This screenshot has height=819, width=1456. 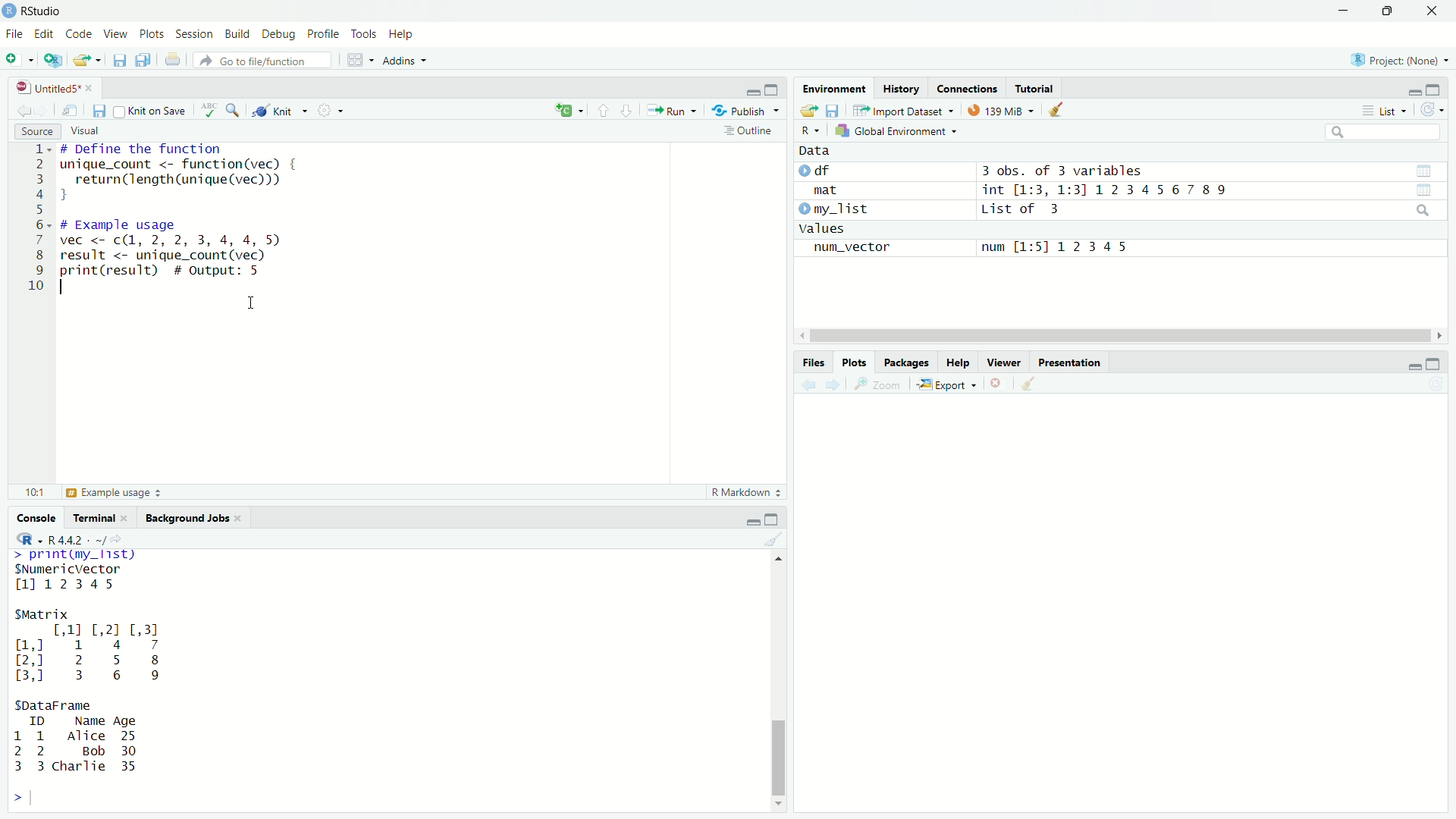 I want to click on forward, so click(x=838, y=385).